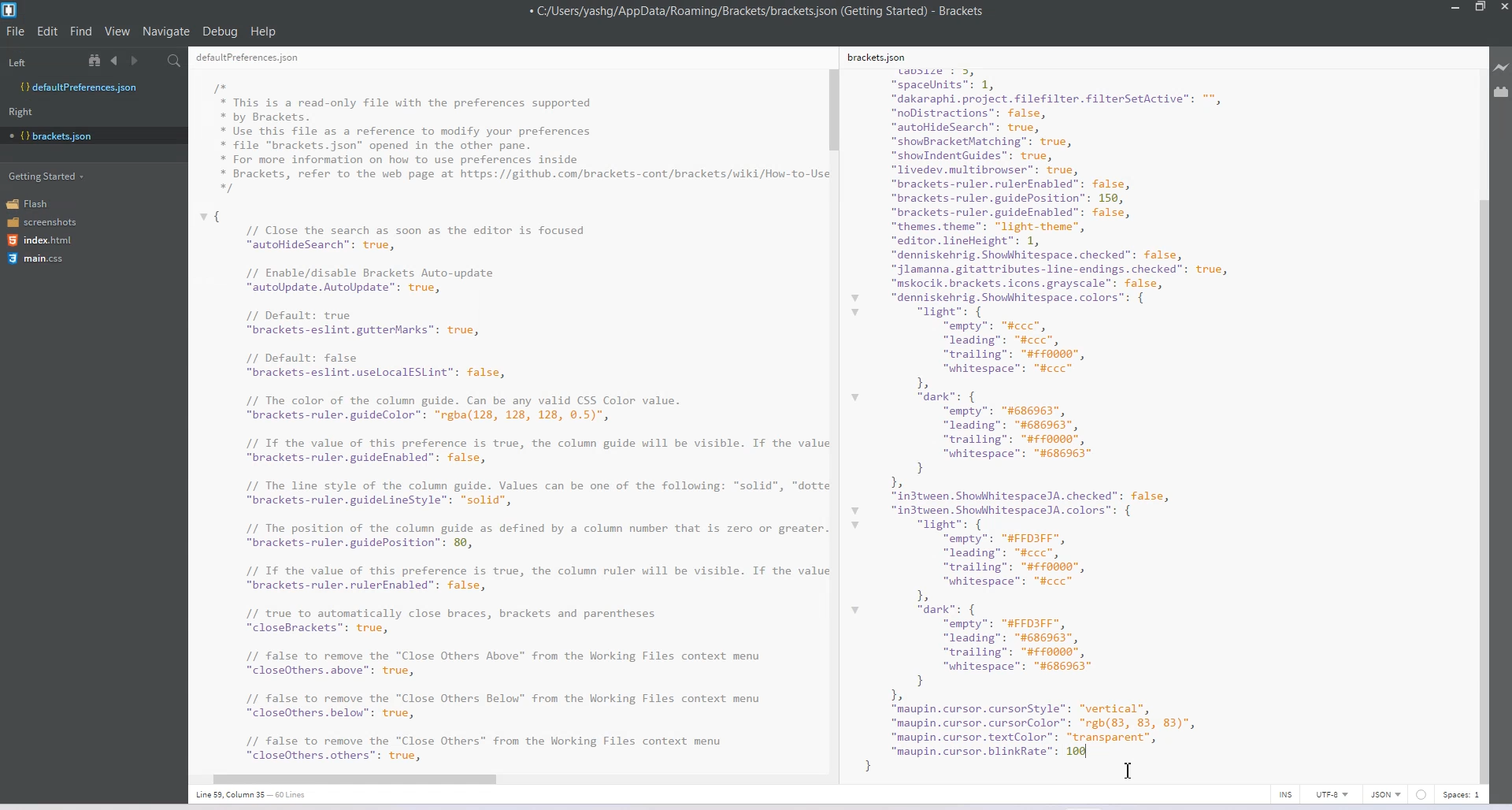  I want to click on Left, so click(17, 63).